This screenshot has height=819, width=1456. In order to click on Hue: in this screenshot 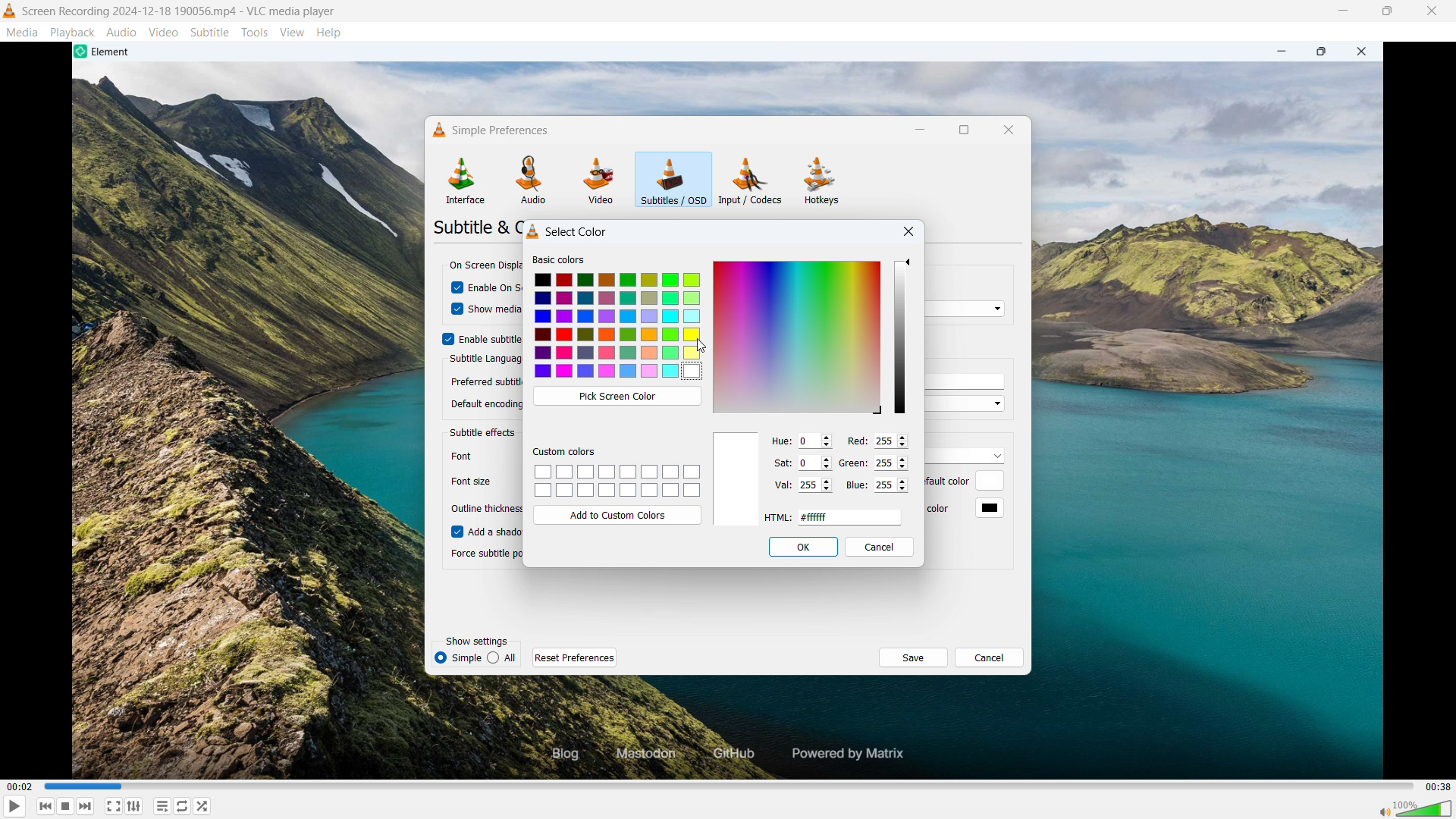, I will do `click(779, 441)`.